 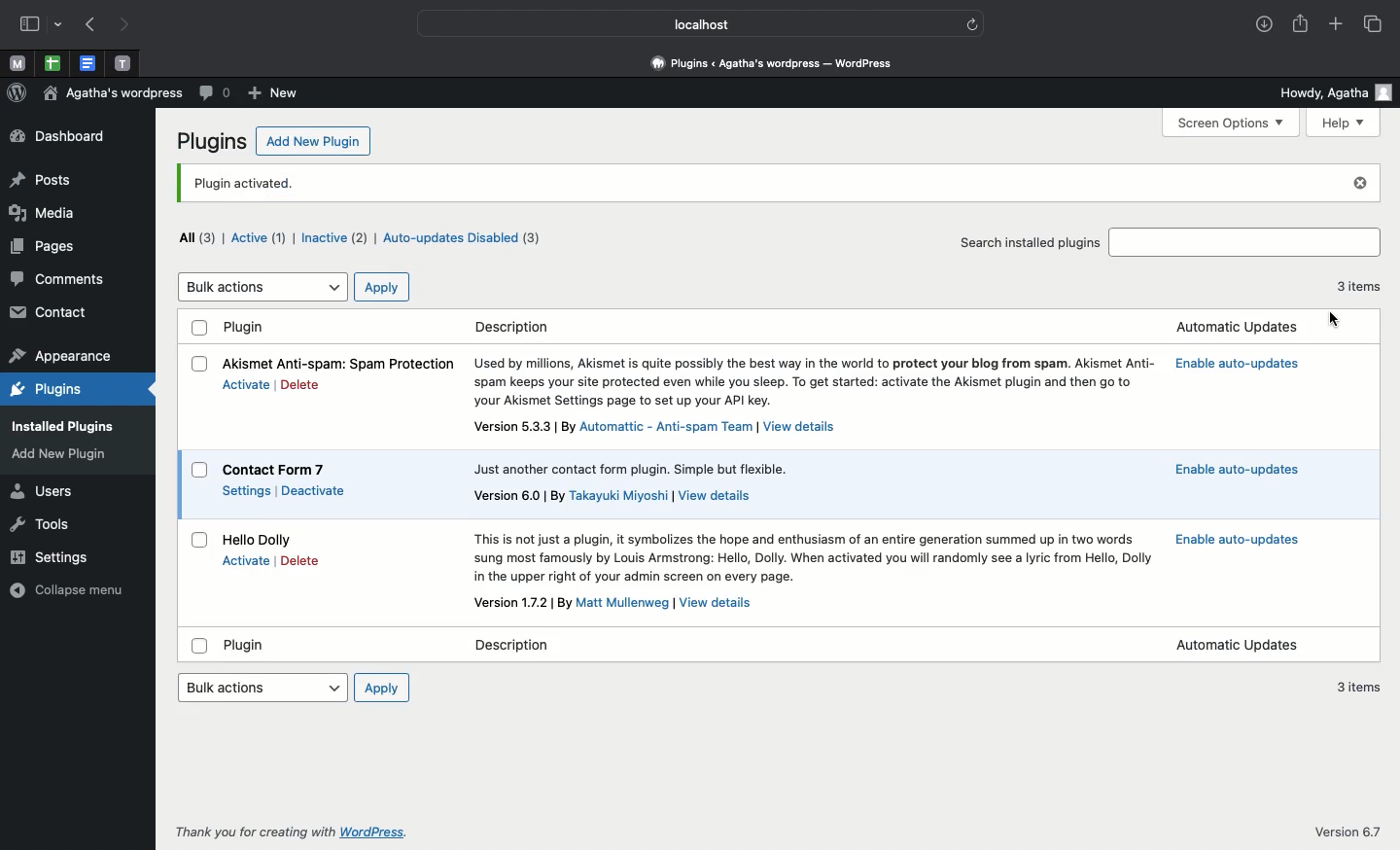 I want to click on installed plugins, so click(x=58, y=425).